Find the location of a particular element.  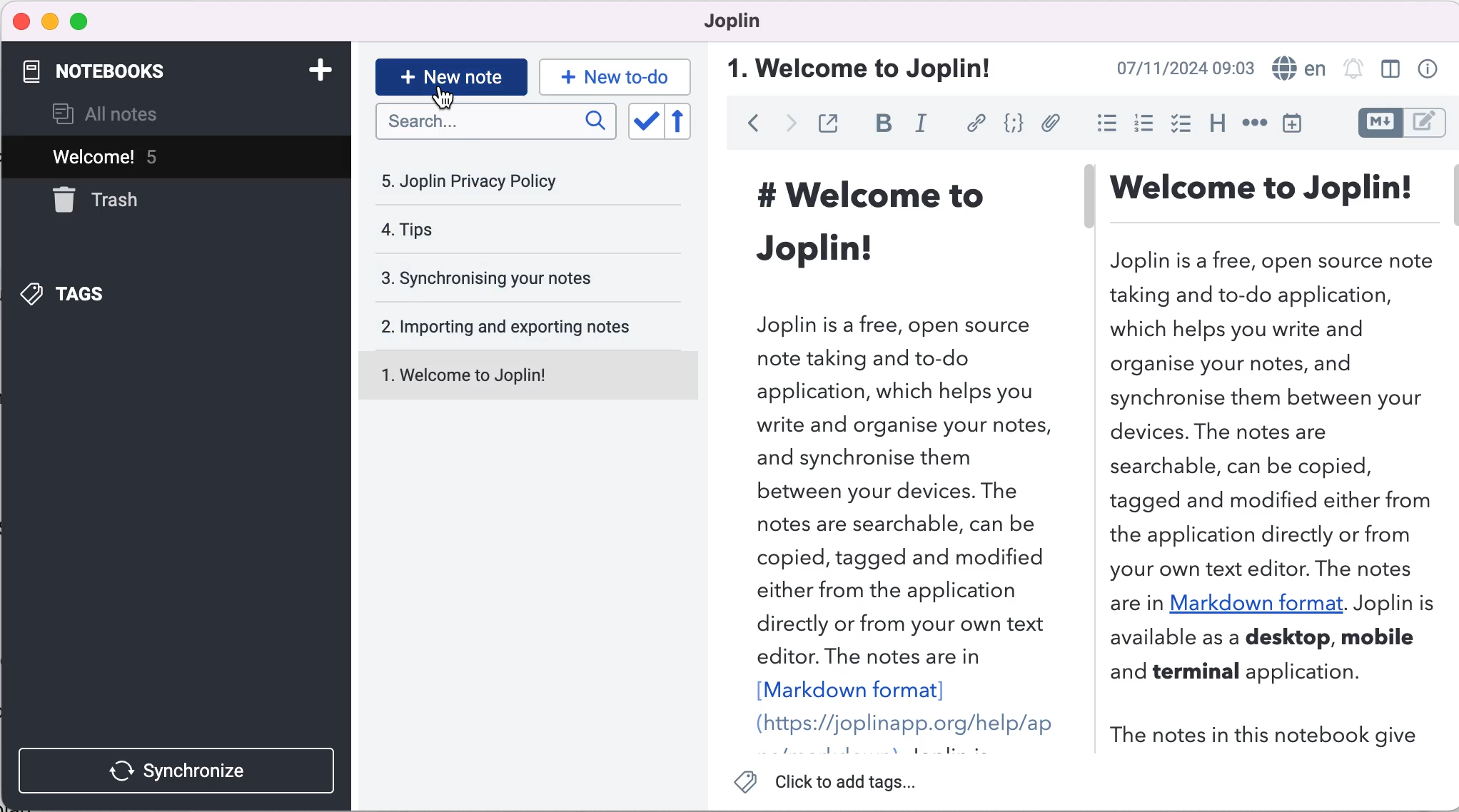

welcome to joplin! is located at coordinates (489, 378).